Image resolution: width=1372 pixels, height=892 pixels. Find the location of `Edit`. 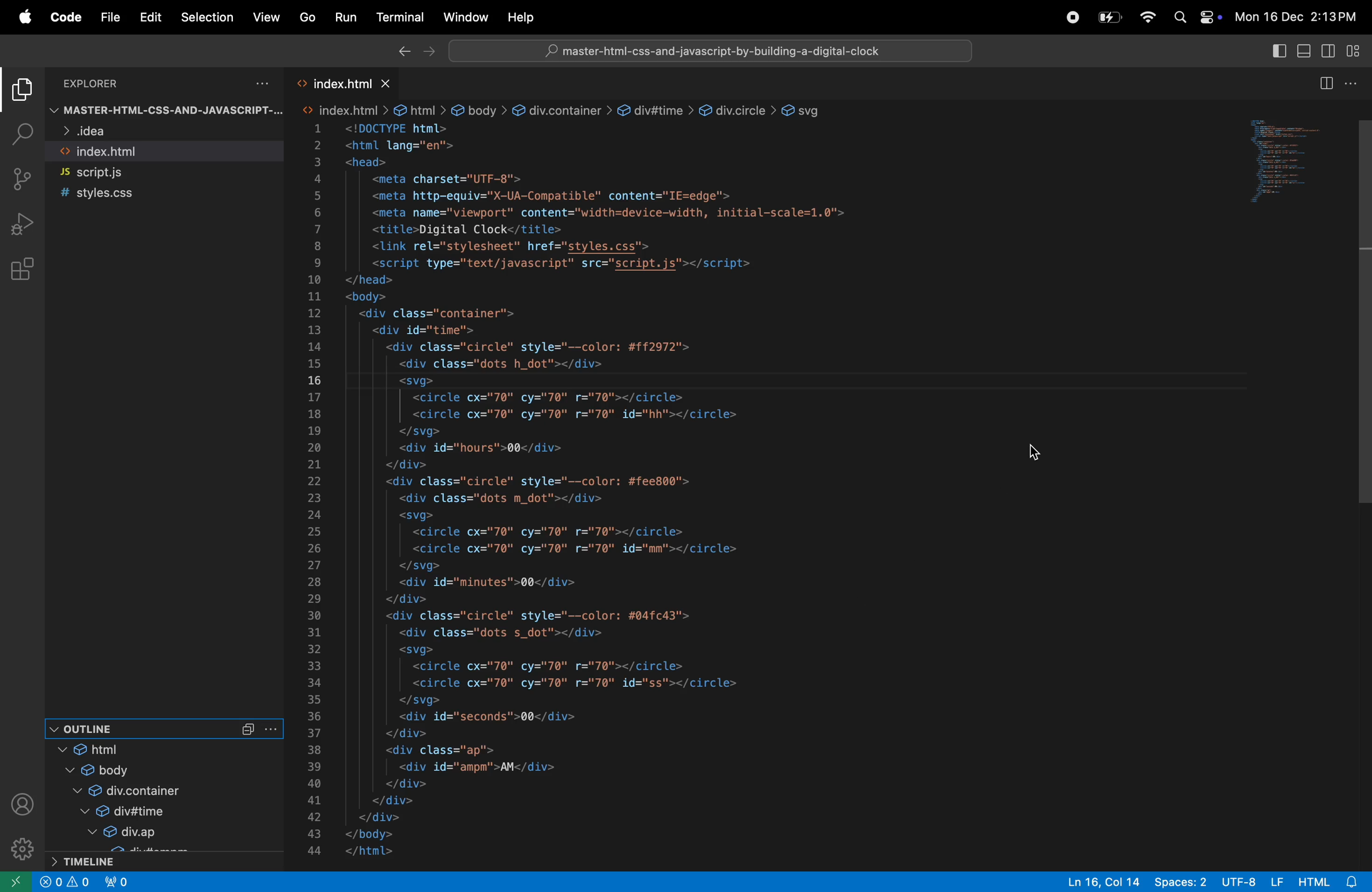

Edit is located at coordinates (151, 17).